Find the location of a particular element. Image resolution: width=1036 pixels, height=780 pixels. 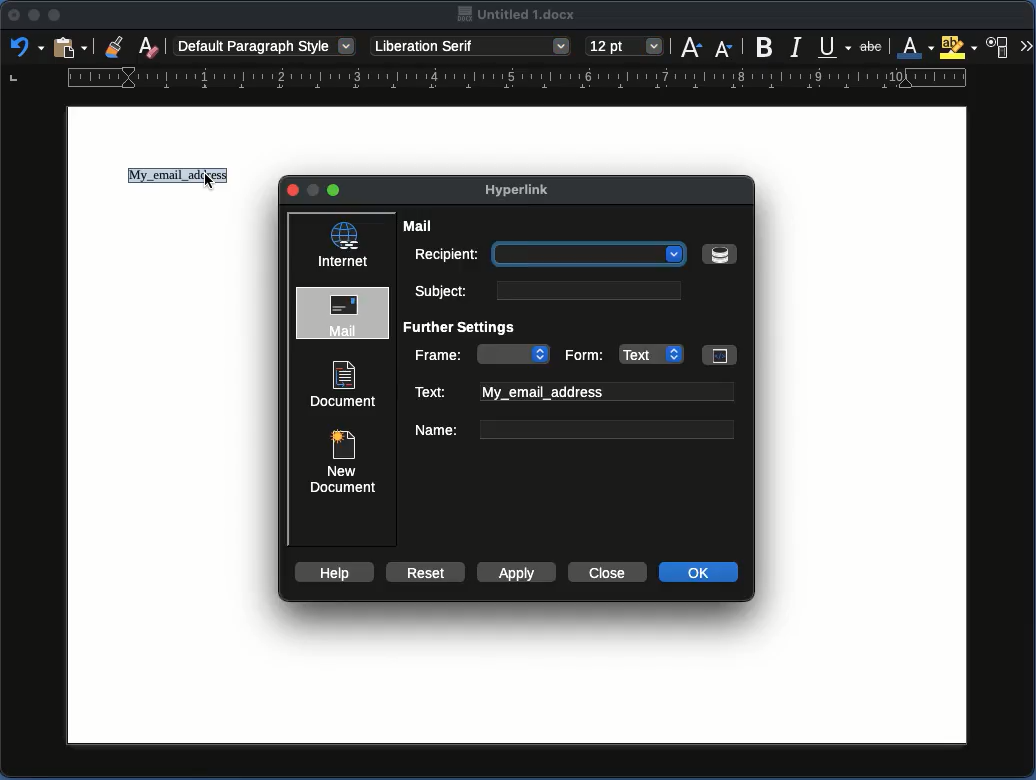

Name is located at coordinates (573, 429).